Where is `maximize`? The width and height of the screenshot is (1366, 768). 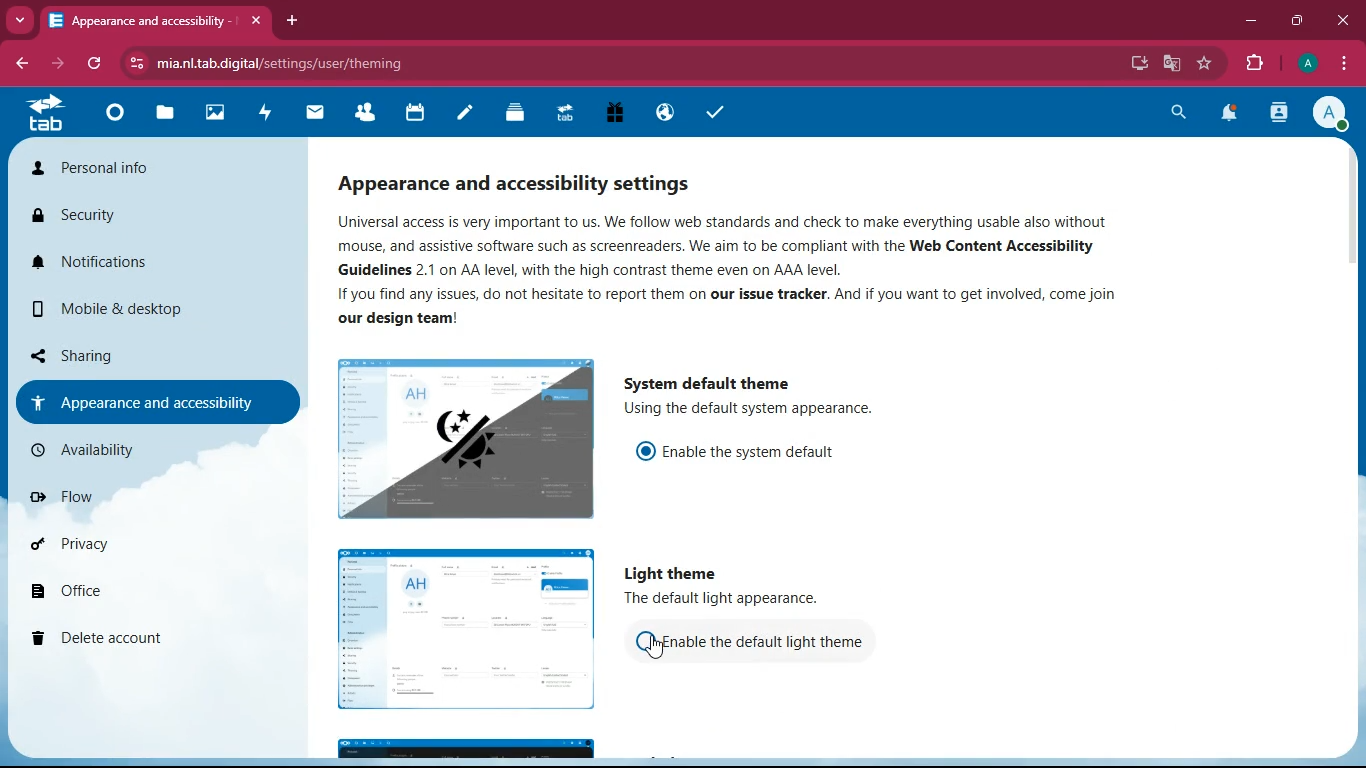
maximize is located at coordinates (1299, 20).